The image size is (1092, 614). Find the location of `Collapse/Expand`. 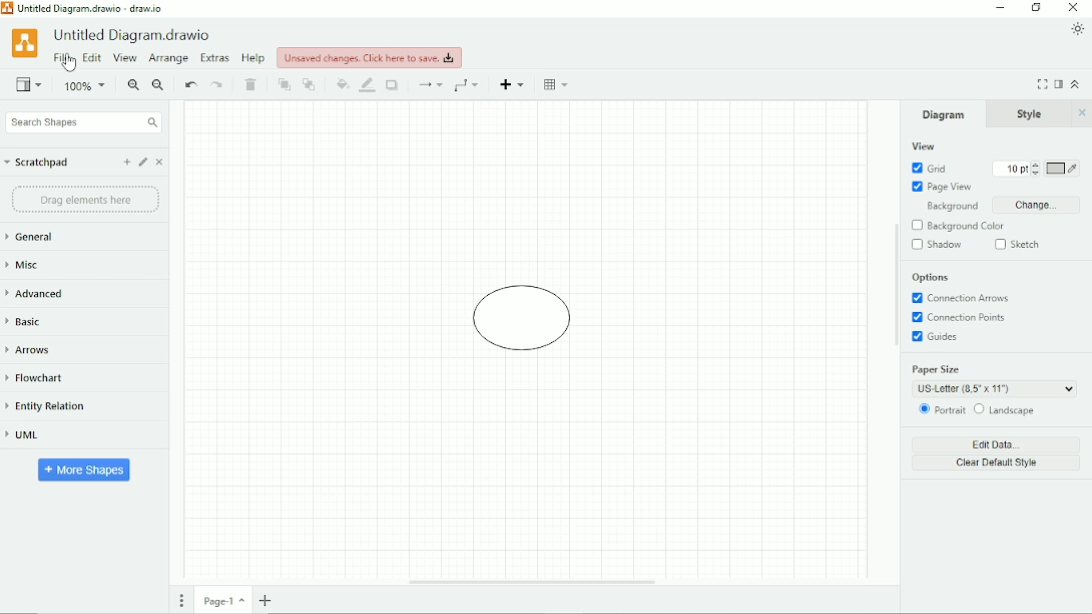

Collapse/Expand is located at coordinates (1077, 84).